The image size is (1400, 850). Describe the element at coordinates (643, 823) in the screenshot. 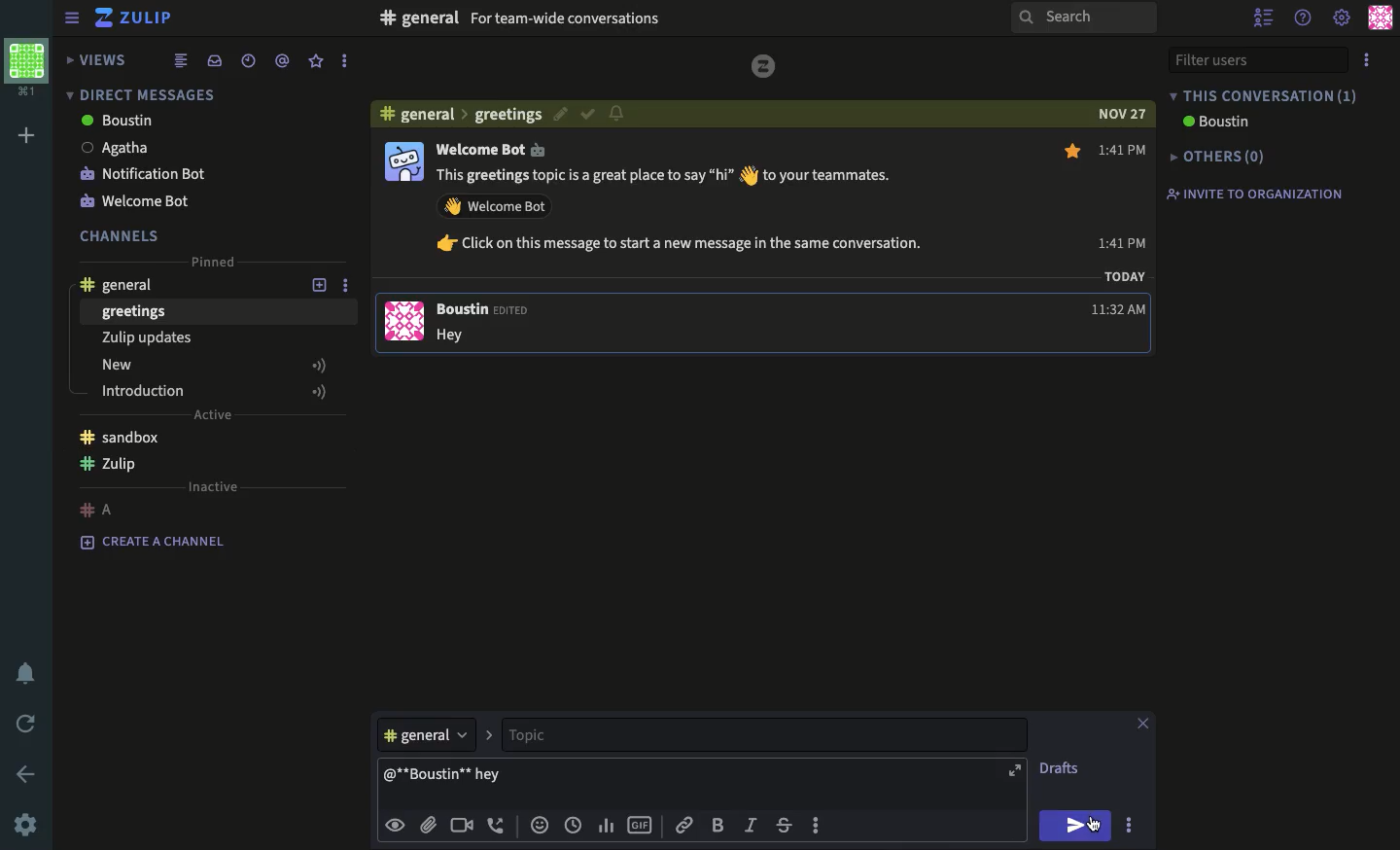

I see `gif` at that location.